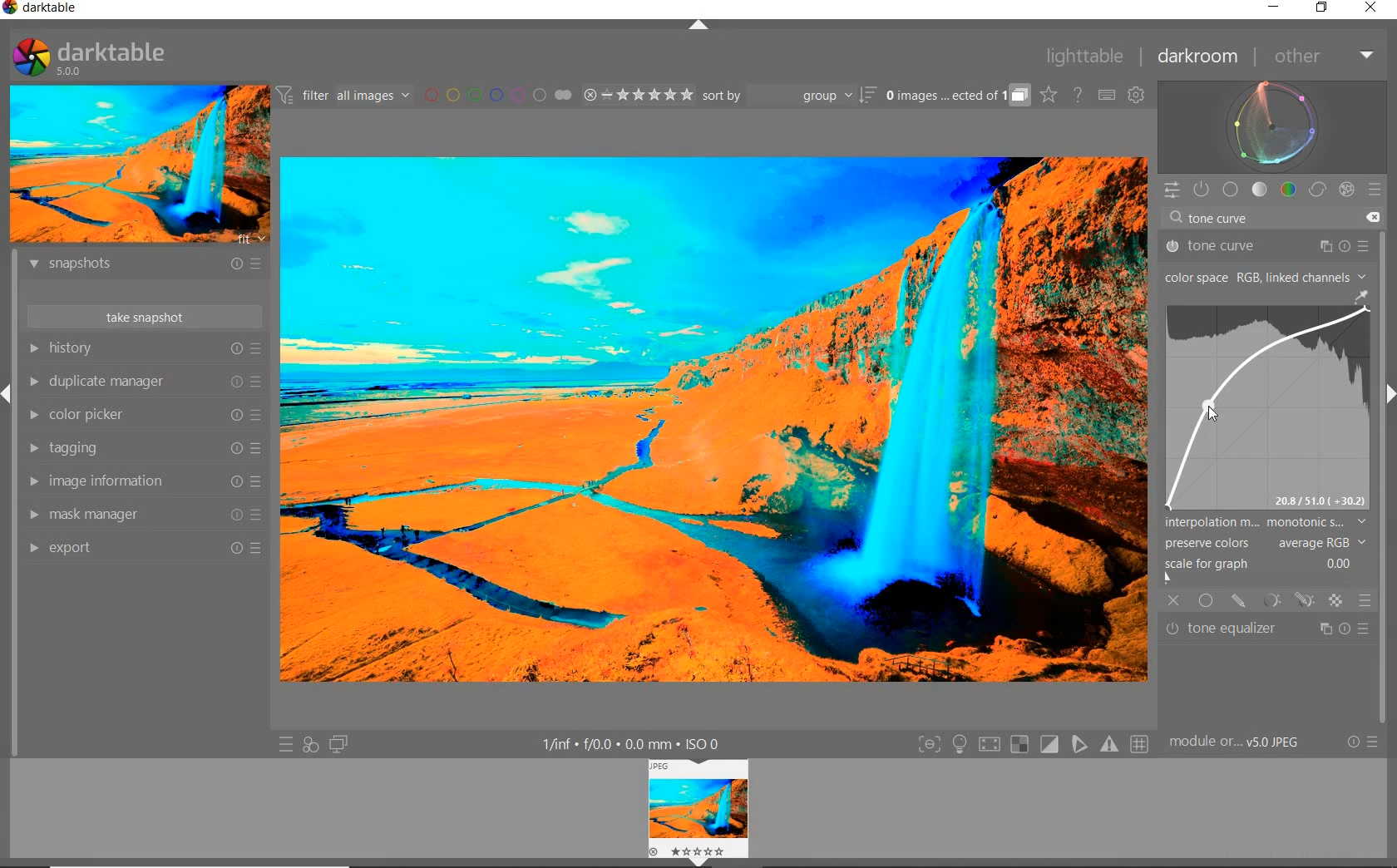 The image size is (1397, 868). What do you see at coordinates (1202, 190) in the screenshot?
I see `SHOW ONLY ACTIVE MODULES` at bounding box center [1202, 190].